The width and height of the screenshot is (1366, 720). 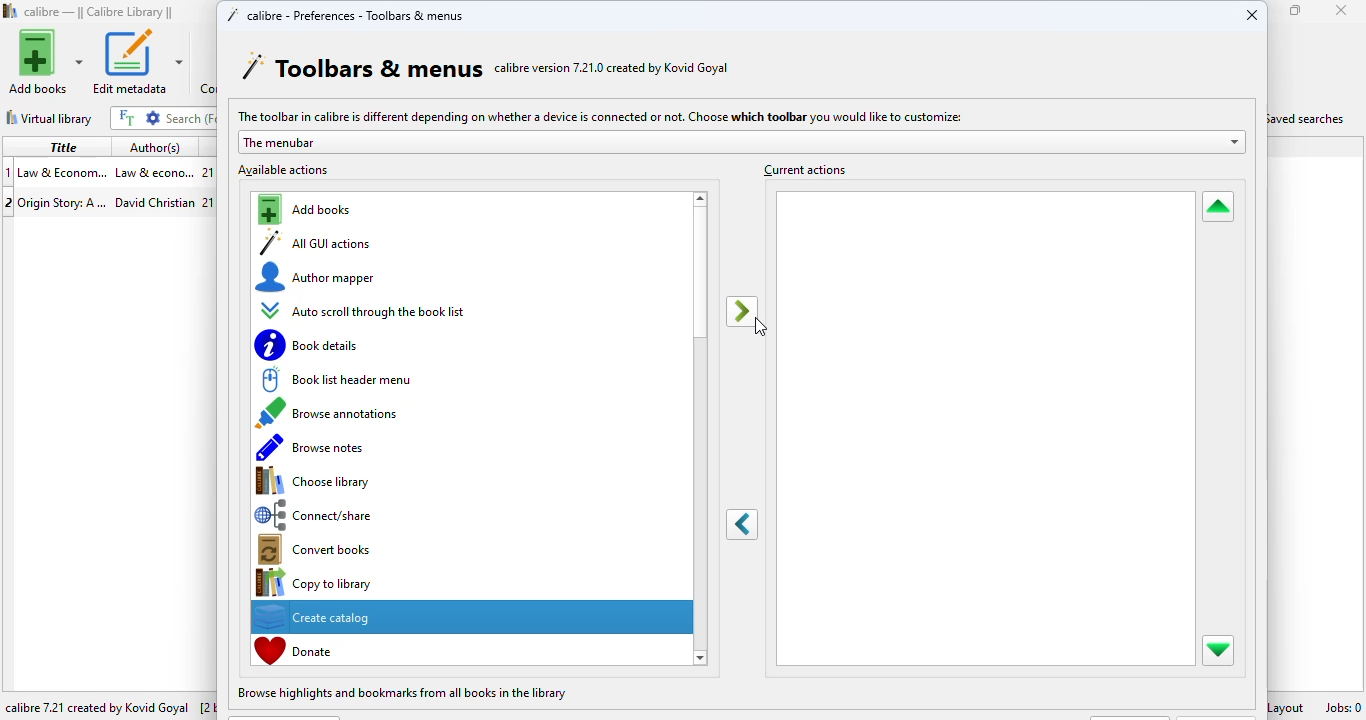 What do you see at coordinates (46, 61) in the screenshot?
I see `add books` at bounding box center [46, 61].